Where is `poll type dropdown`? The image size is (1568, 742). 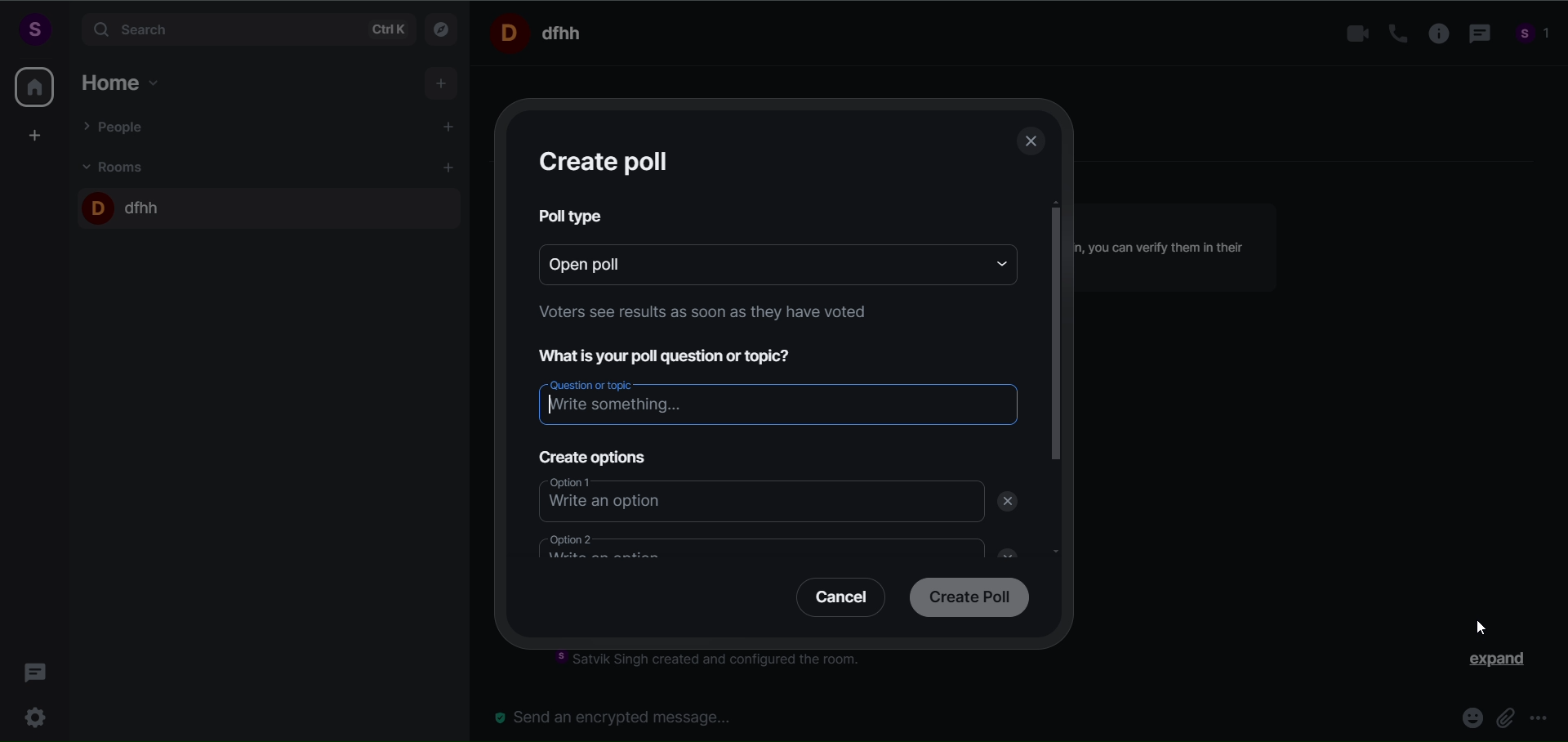 poll type dropdown is located at coordinates (996, 262).